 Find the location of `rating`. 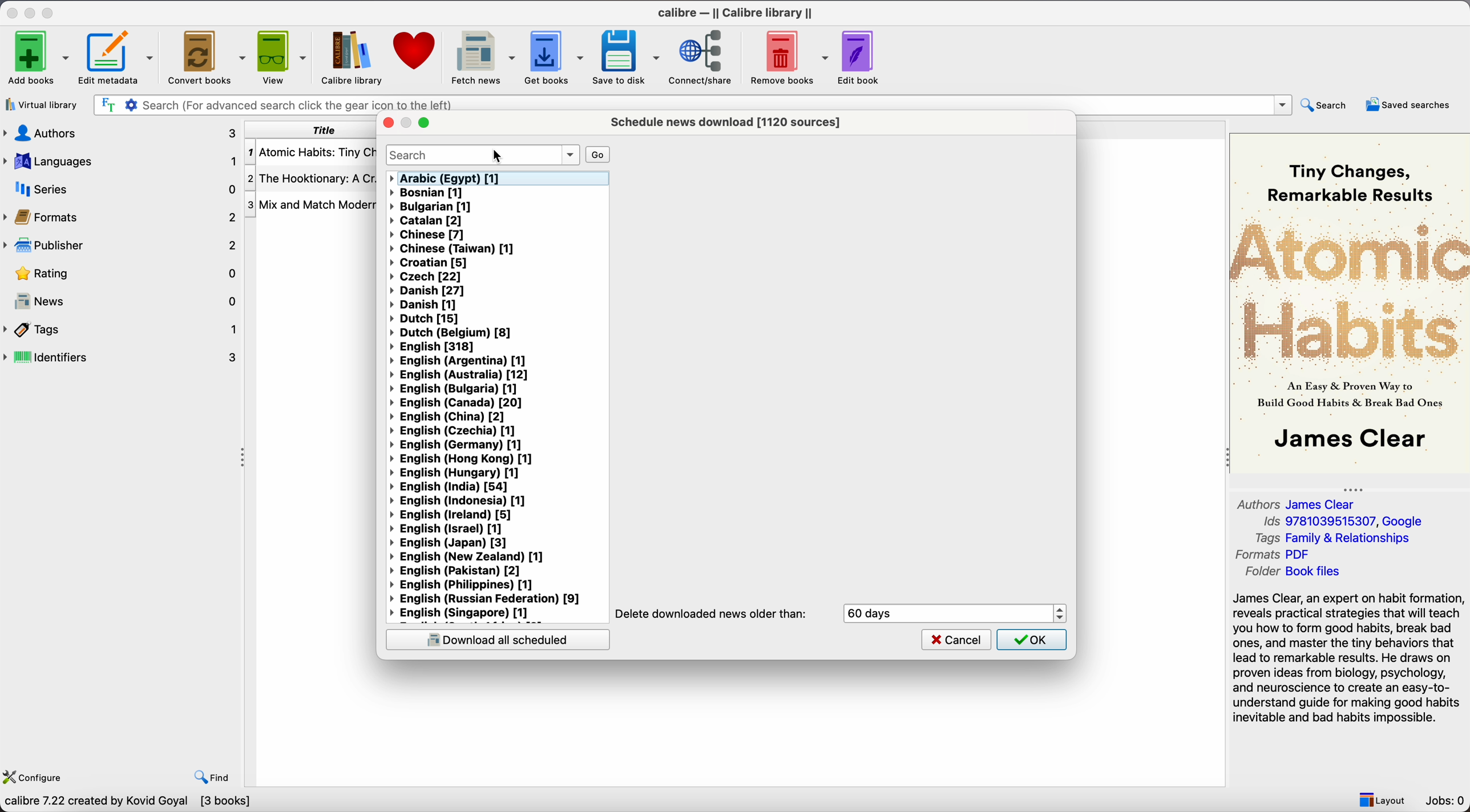

rating is located at coordinates (119, 273).